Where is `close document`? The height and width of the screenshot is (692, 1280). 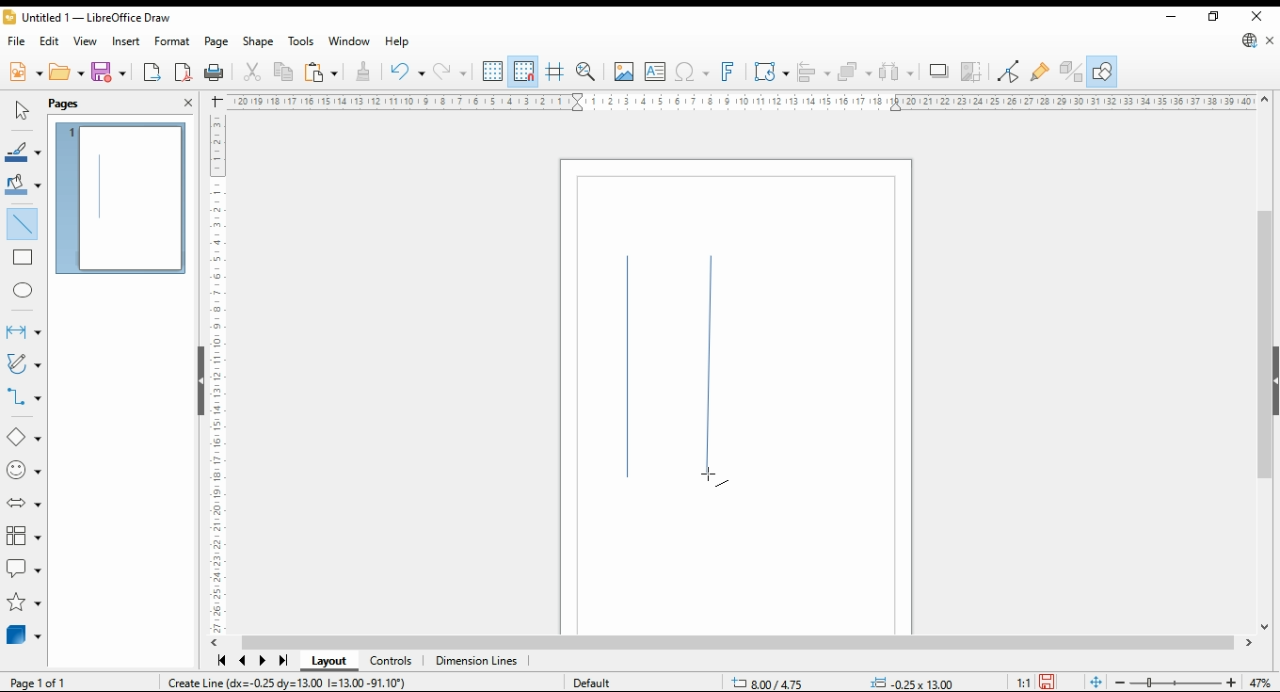
close document is located at coordinates (1270, 41).